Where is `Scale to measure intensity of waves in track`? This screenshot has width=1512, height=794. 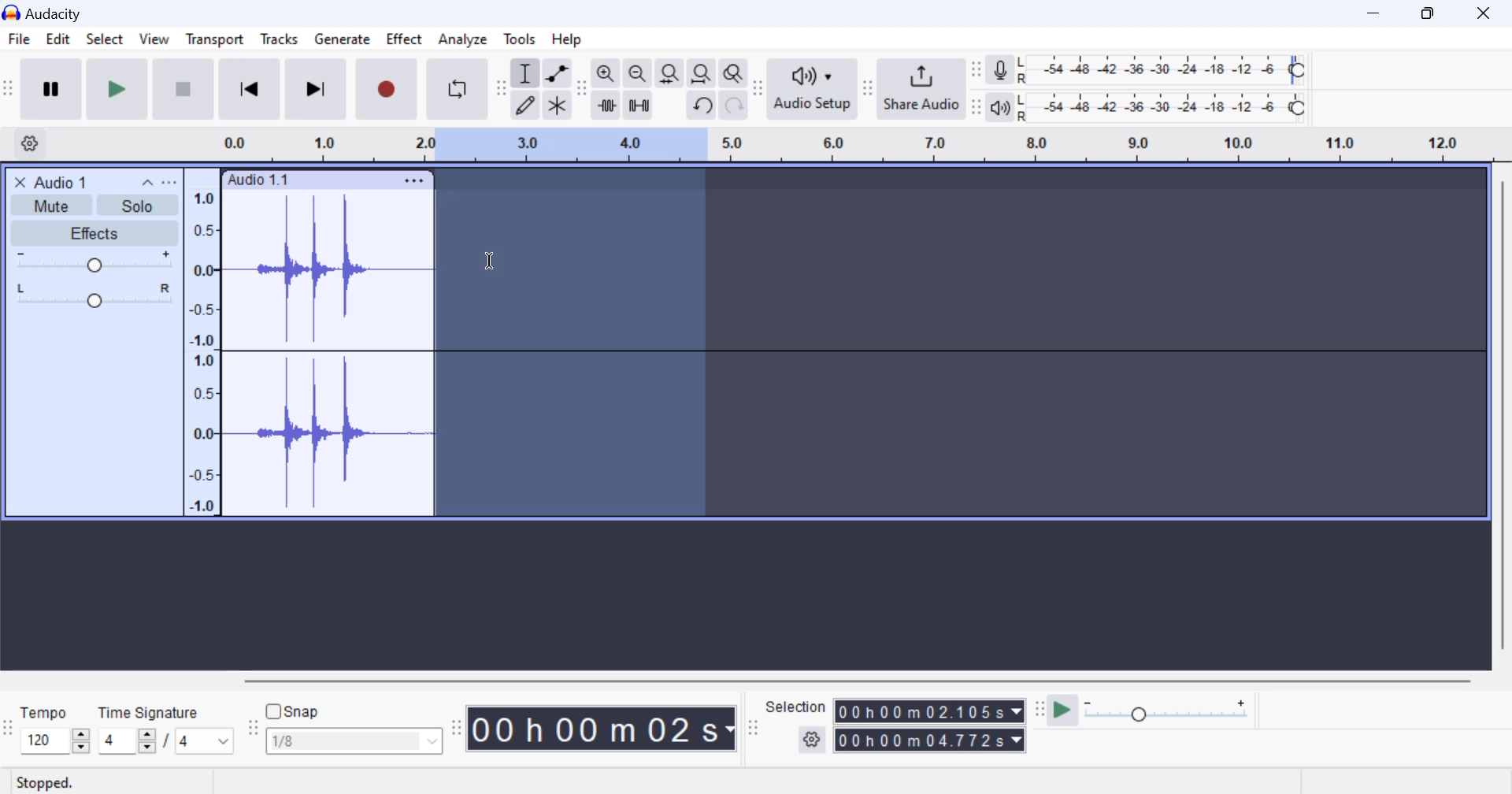 Scale to measure intensity of waves in track is located at coordinates (201, 349).